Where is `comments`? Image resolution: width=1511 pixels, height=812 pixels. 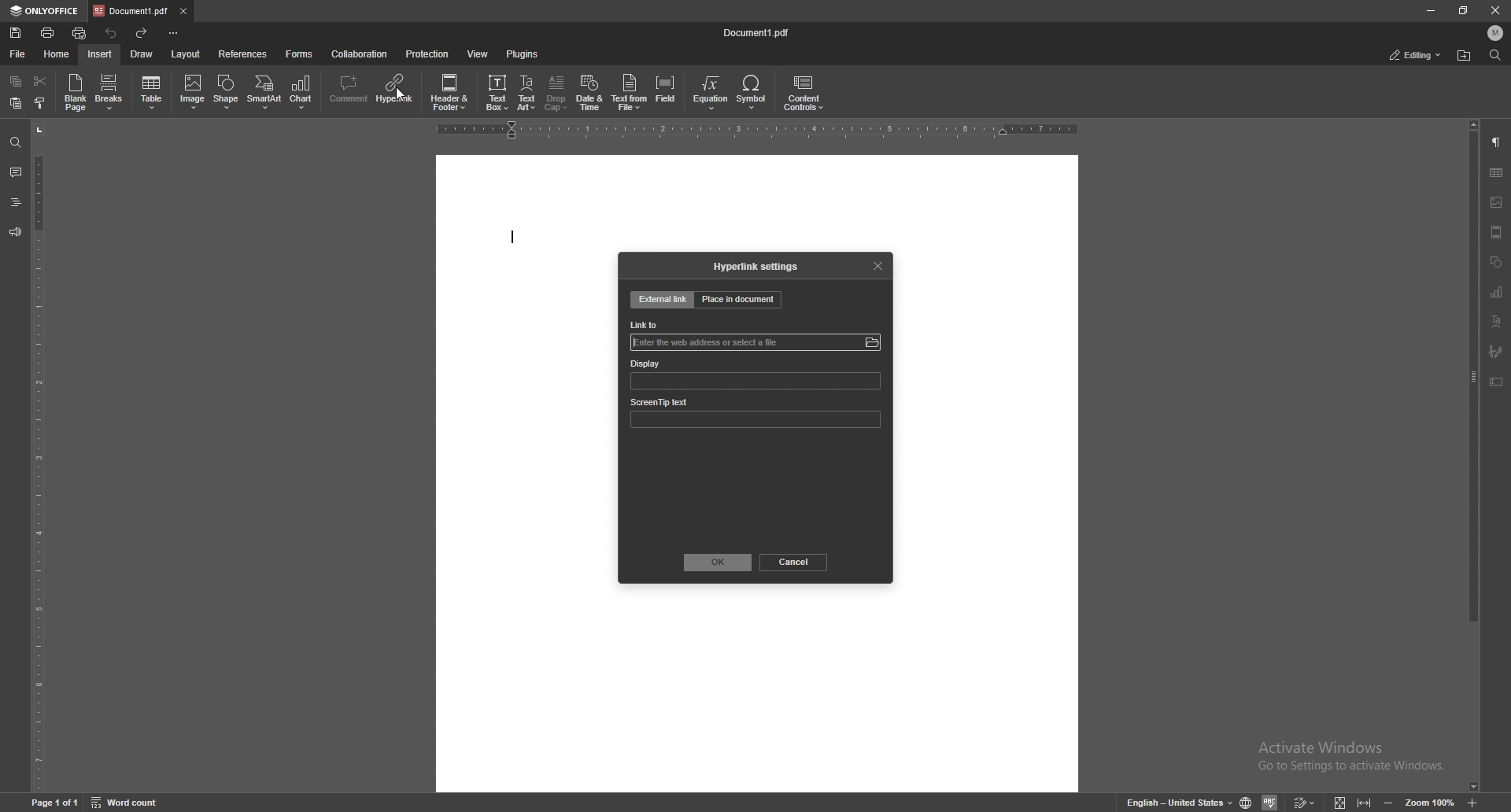
comments is located at coordinates (13, 172).